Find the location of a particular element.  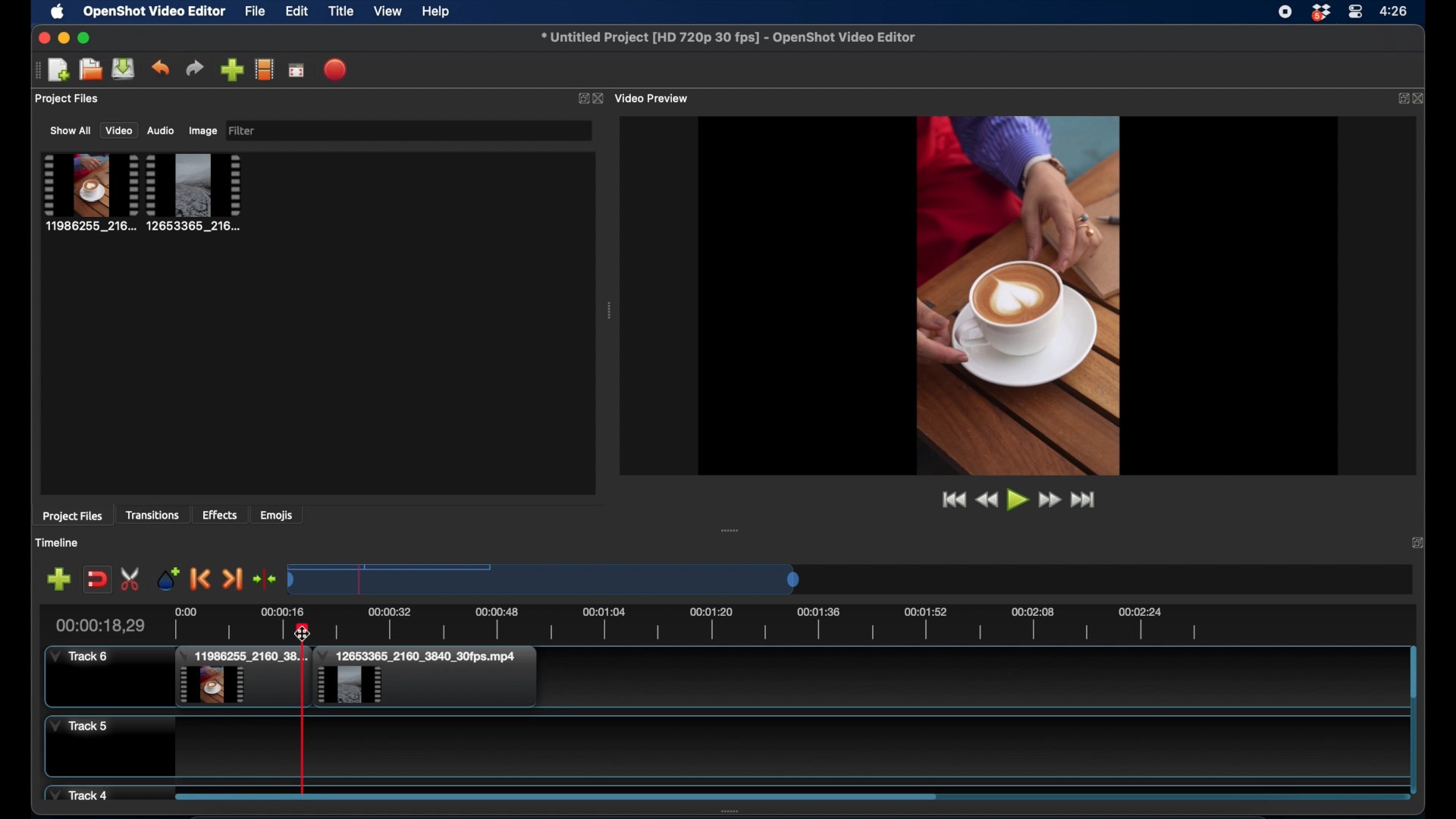

choose profile is located at coordinates (264, 69).